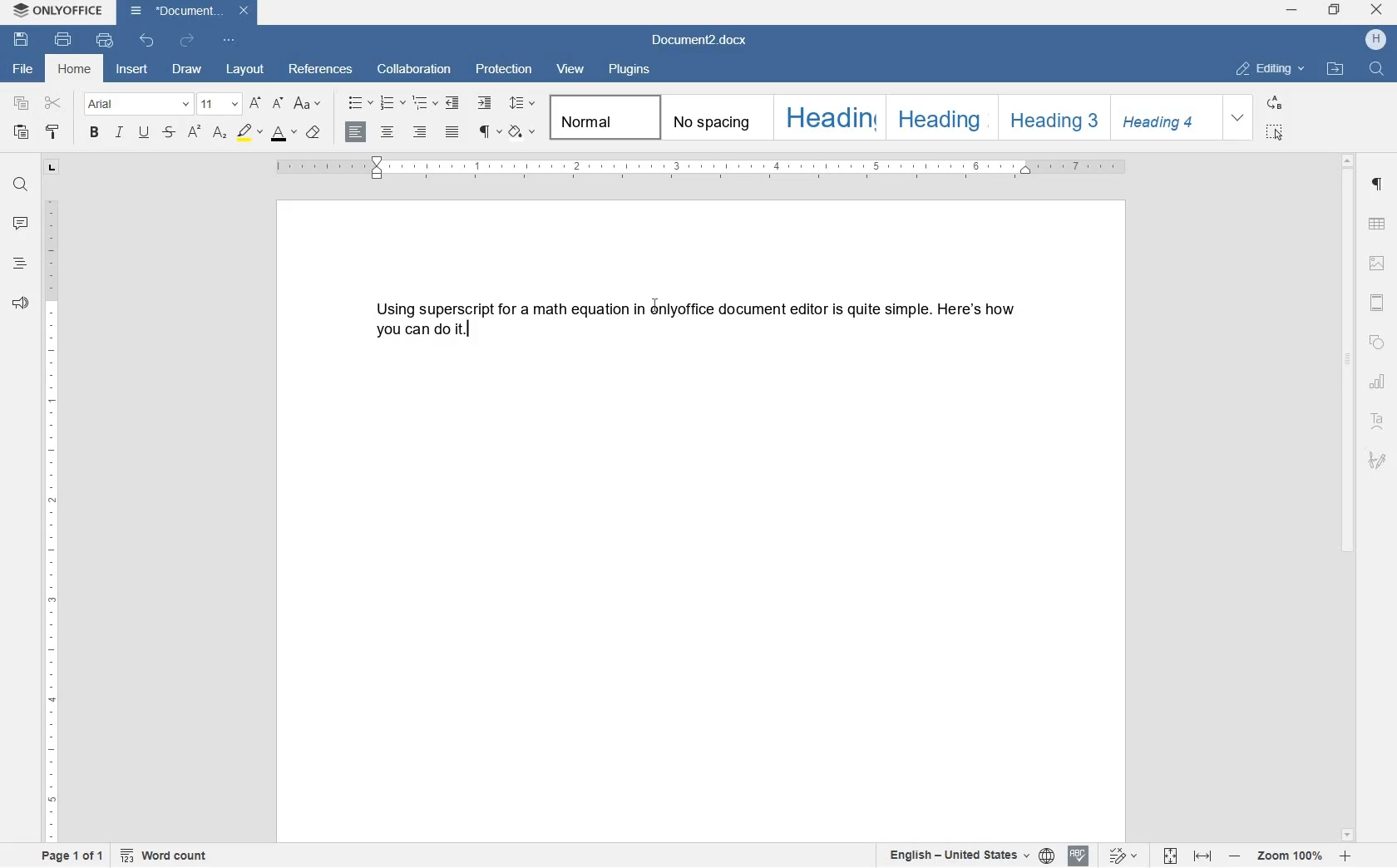 Image resolution: width=1397 pixels, height=868 pixels. What do you see at coordinates (453, 104) in the screenshot?
I see `decrease indent` at bounding box center [453, 104].